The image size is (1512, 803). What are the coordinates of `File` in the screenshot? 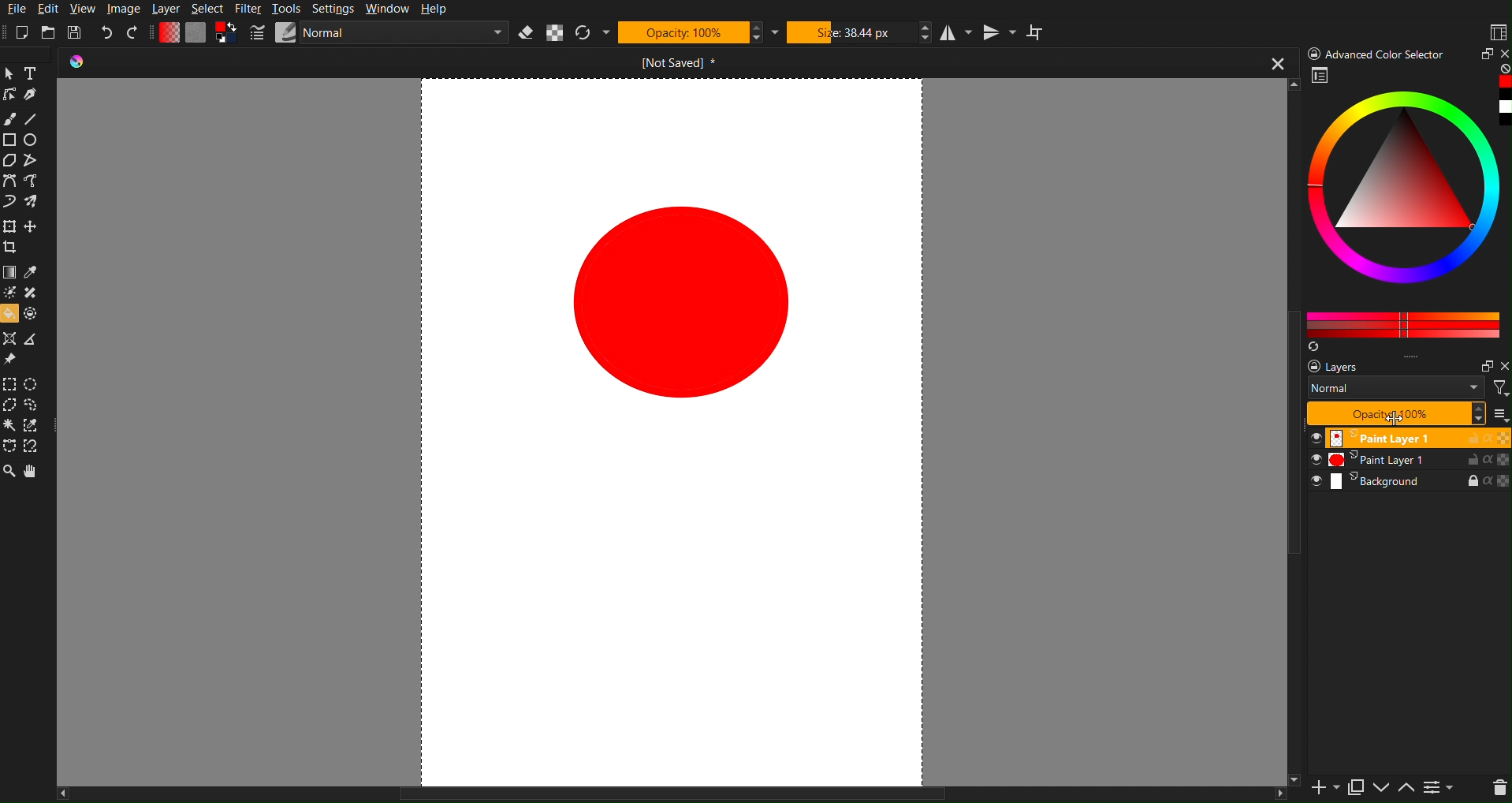 It's located at (15, 12).